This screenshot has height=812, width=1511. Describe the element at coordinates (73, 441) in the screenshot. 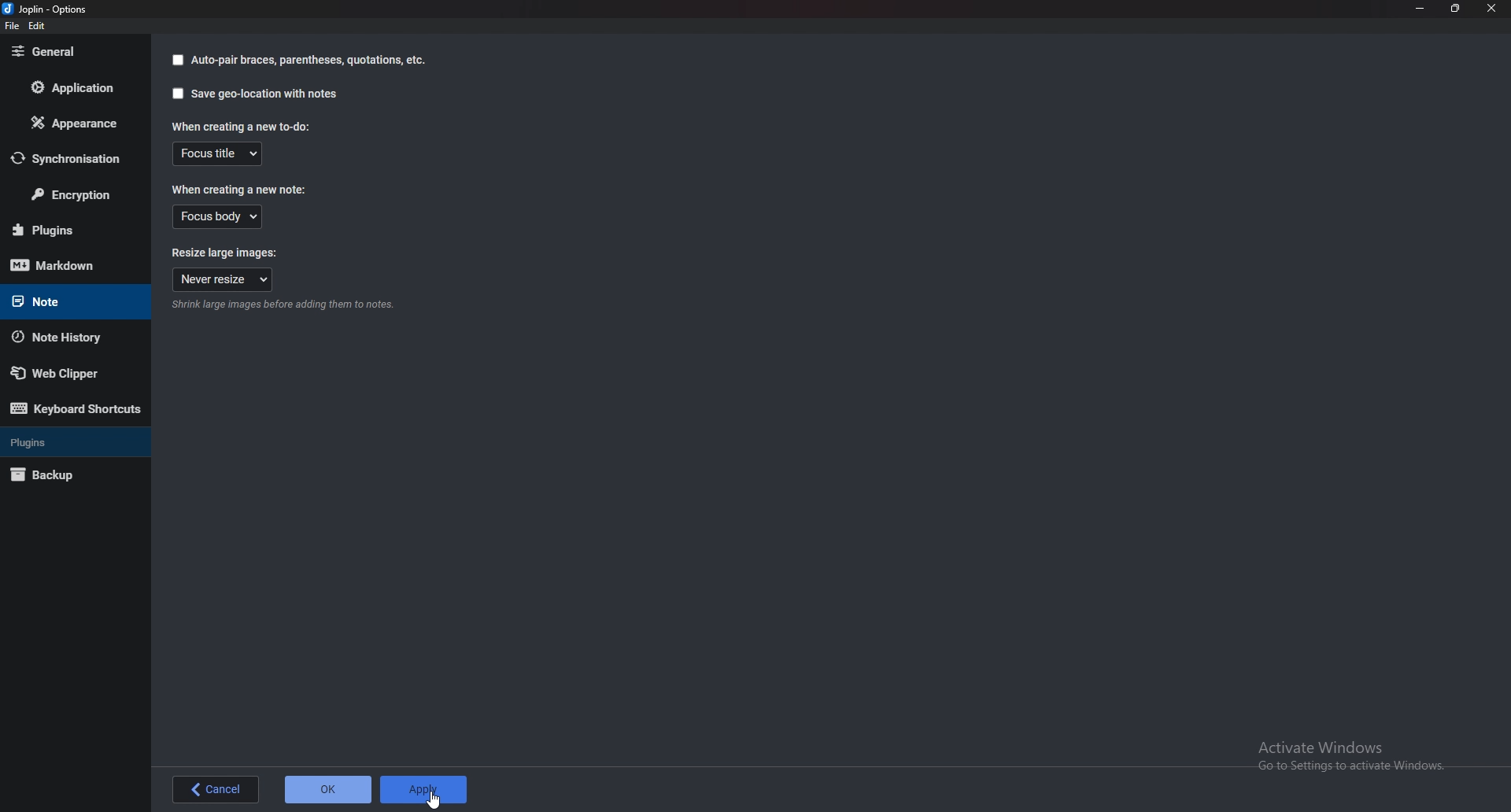

I see `Plugins` at that location.